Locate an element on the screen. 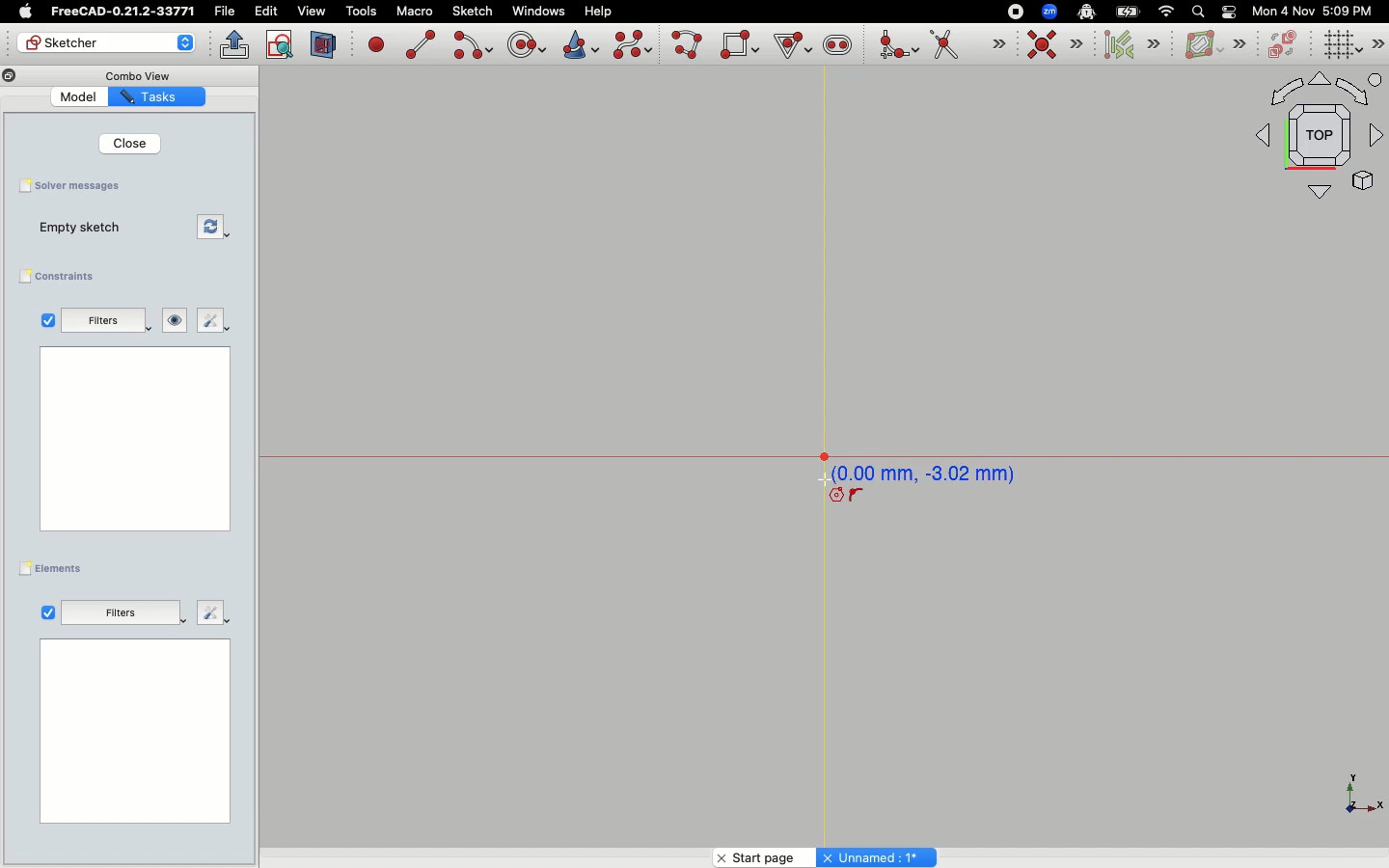  Battery is located at coordinates (1129, 11).